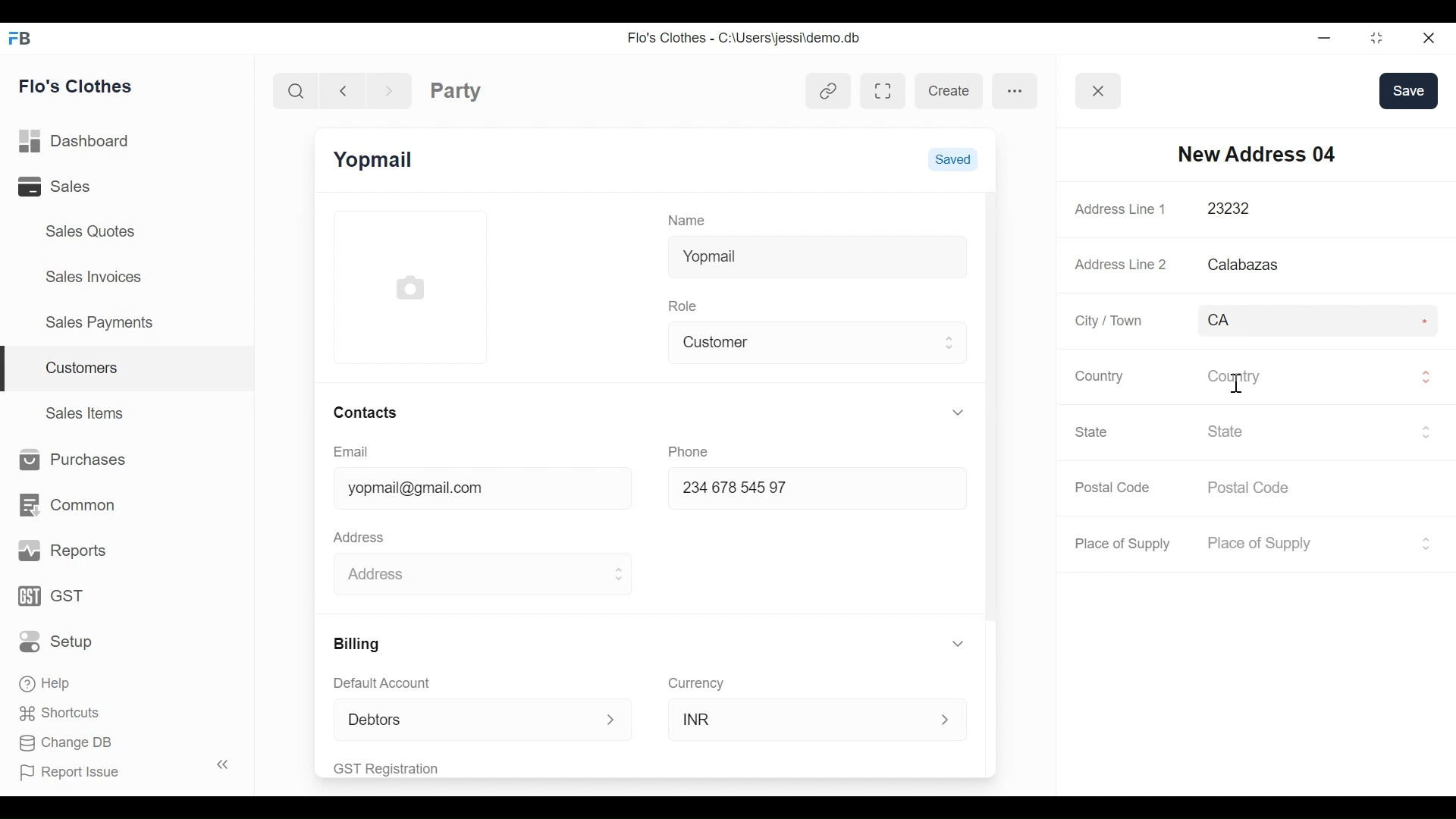 This screenshot has width=1456, height=819. I want to click on Default Account, so click(392, 682).